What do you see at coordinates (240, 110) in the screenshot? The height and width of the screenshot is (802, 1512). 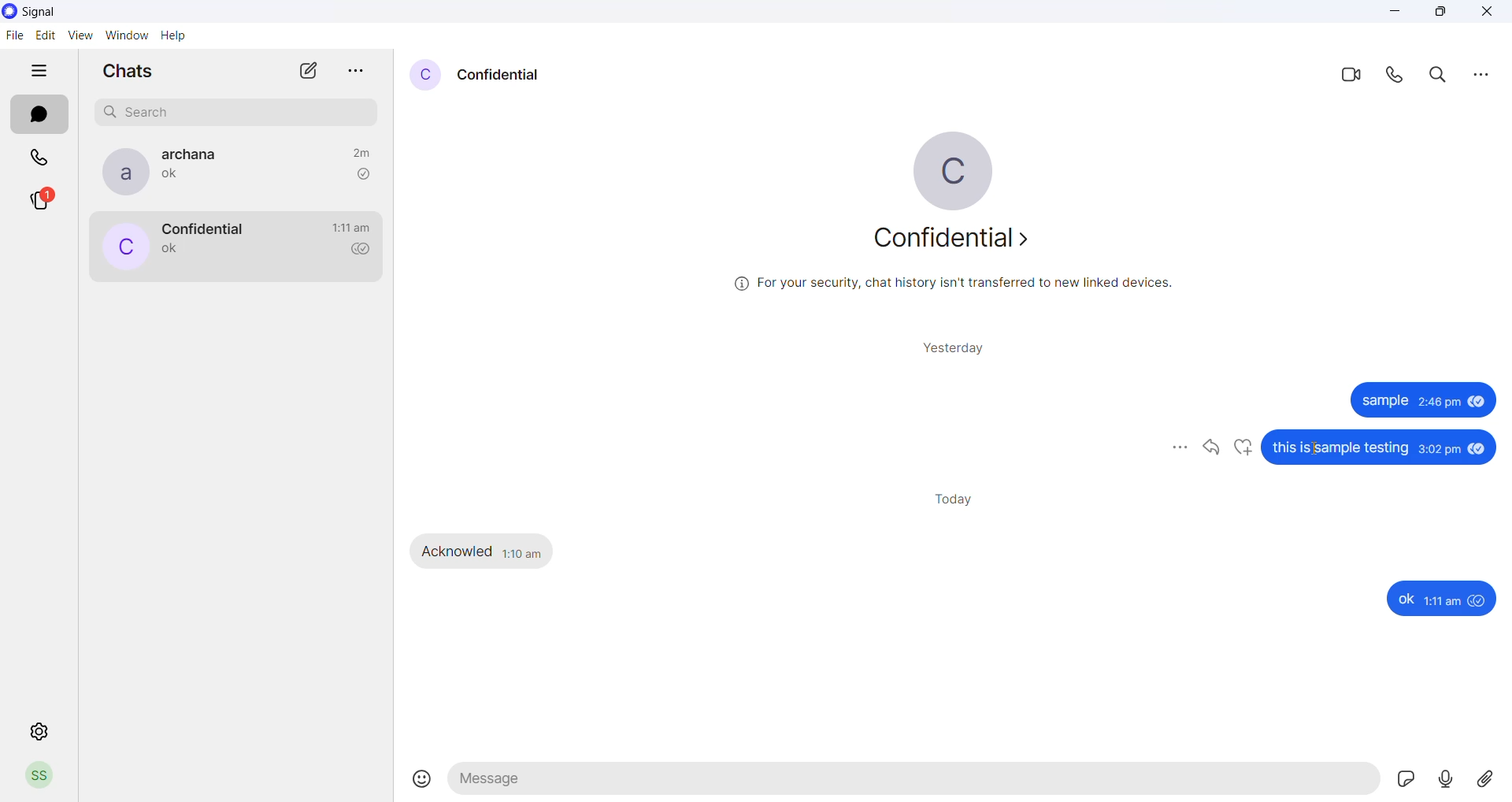 I see `search box` at bounding box center [240, 110].